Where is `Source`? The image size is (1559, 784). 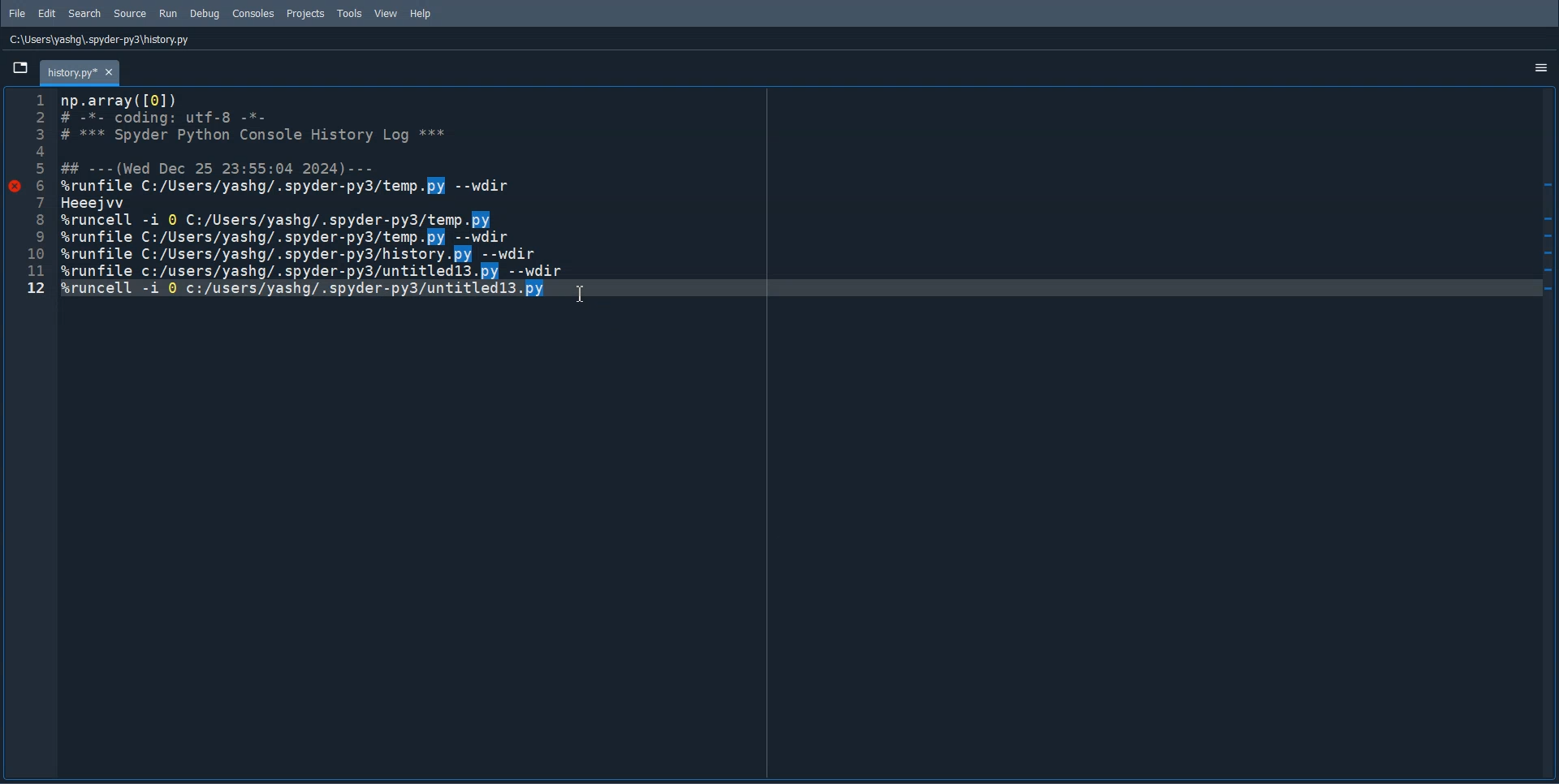 Source is located at coordinates (132, 13).